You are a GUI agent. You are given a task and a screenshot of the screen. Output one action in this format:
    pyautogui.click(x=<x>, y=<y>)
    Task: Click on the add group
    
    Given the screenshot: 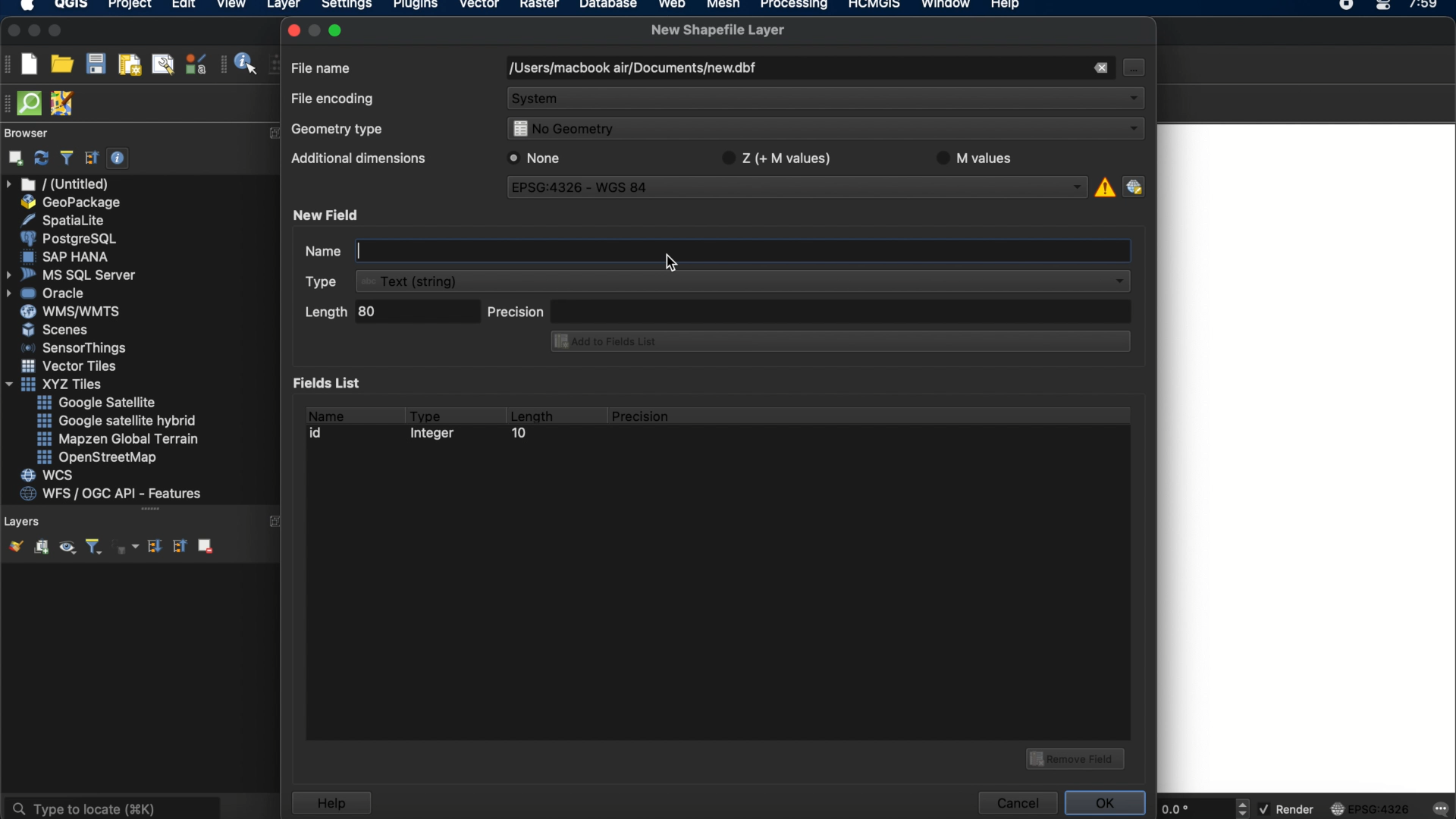 What is the action you would take?
    pyautogui.click(x=41, y=548)
    